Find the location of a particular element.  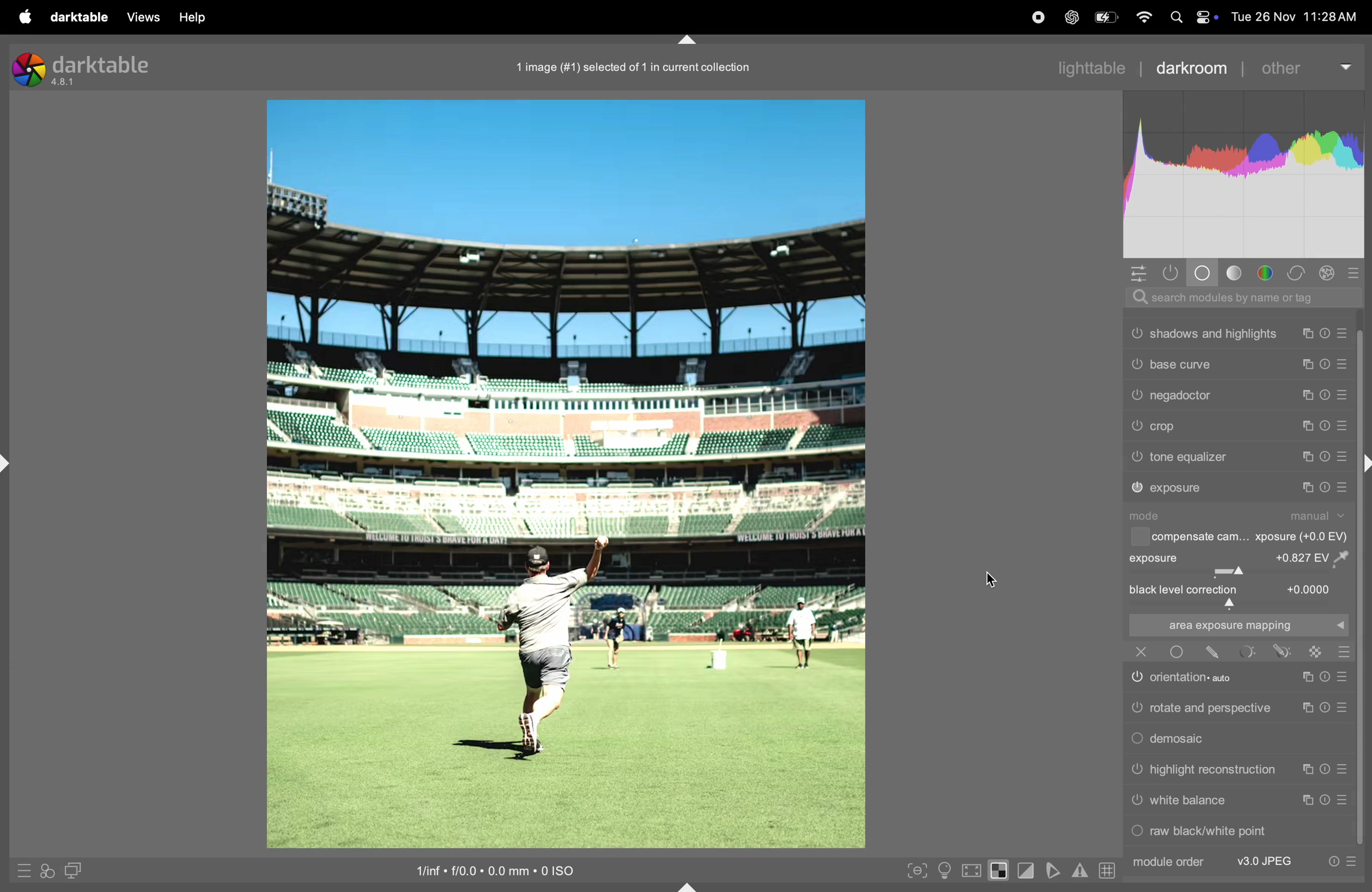

slider is located at coordinates (1240, 604).